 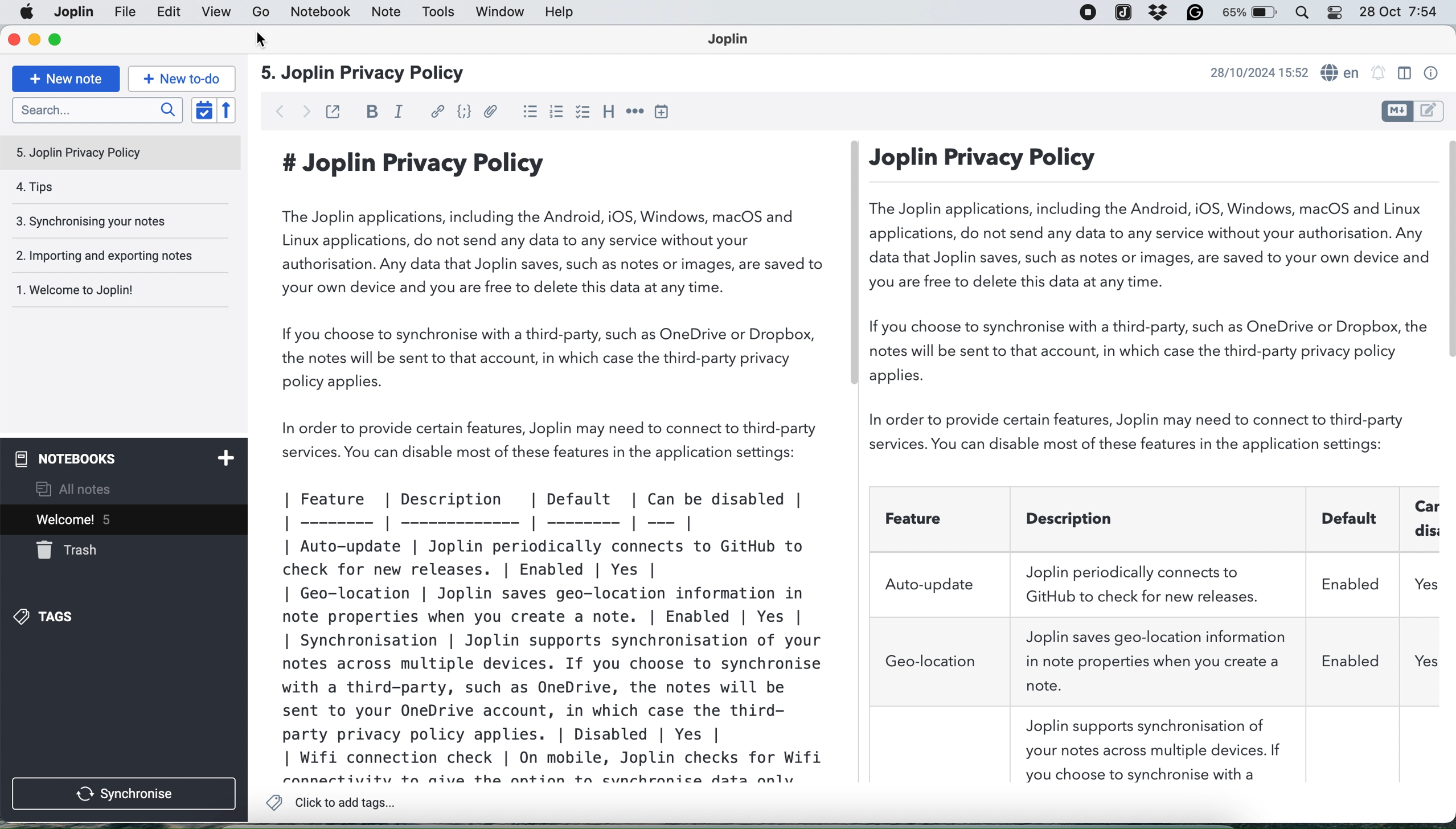 What do you see at coordinates (28, 12) in the screenshot?
I see `Apple menu` at bounding box center [28, 12].